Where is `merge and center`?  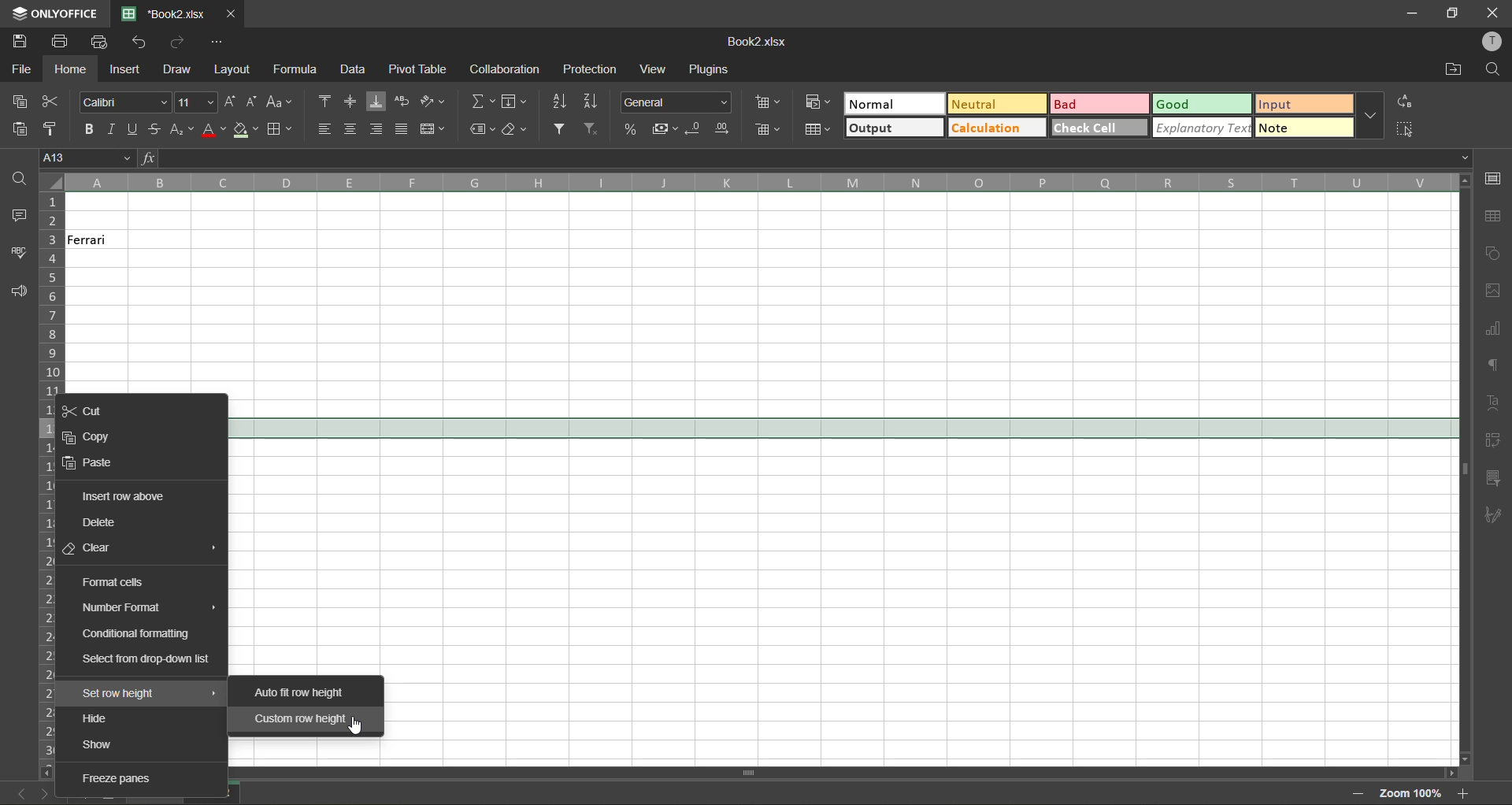 merge and center is located at coordinates (432, 129).